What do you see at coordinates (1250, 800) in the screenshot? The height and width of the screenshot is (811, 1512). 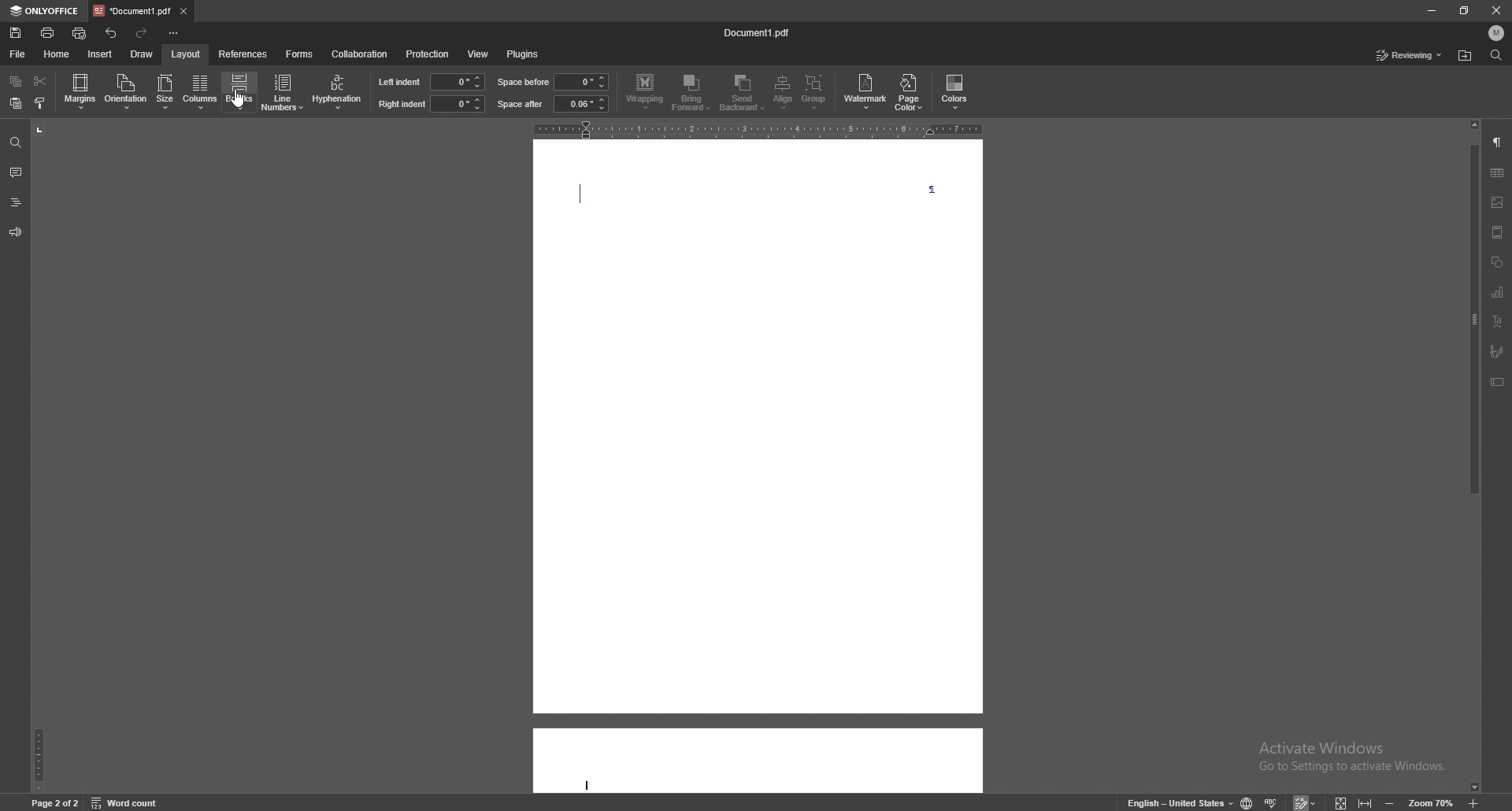 I see `change doc language` at bounding box center [1250, 800].